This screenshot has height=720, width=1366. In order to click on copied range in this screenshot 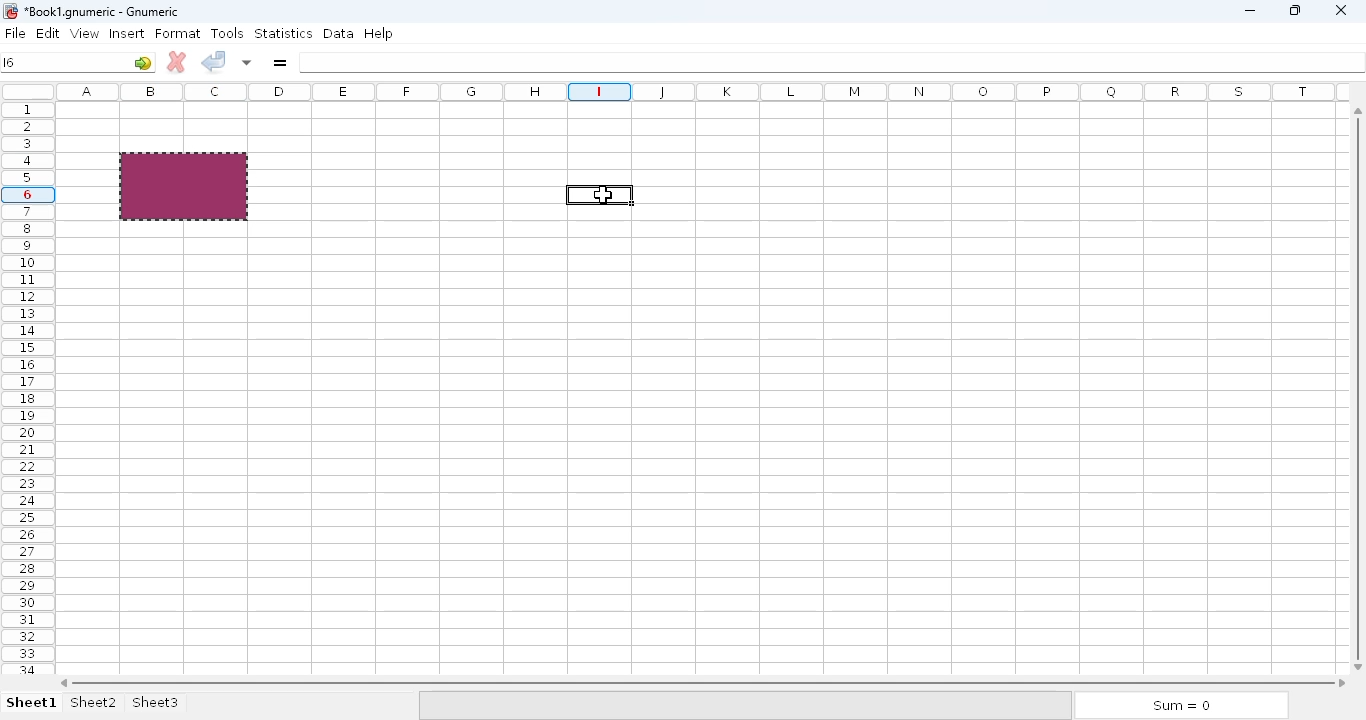, I will do `click(184, 186)`.